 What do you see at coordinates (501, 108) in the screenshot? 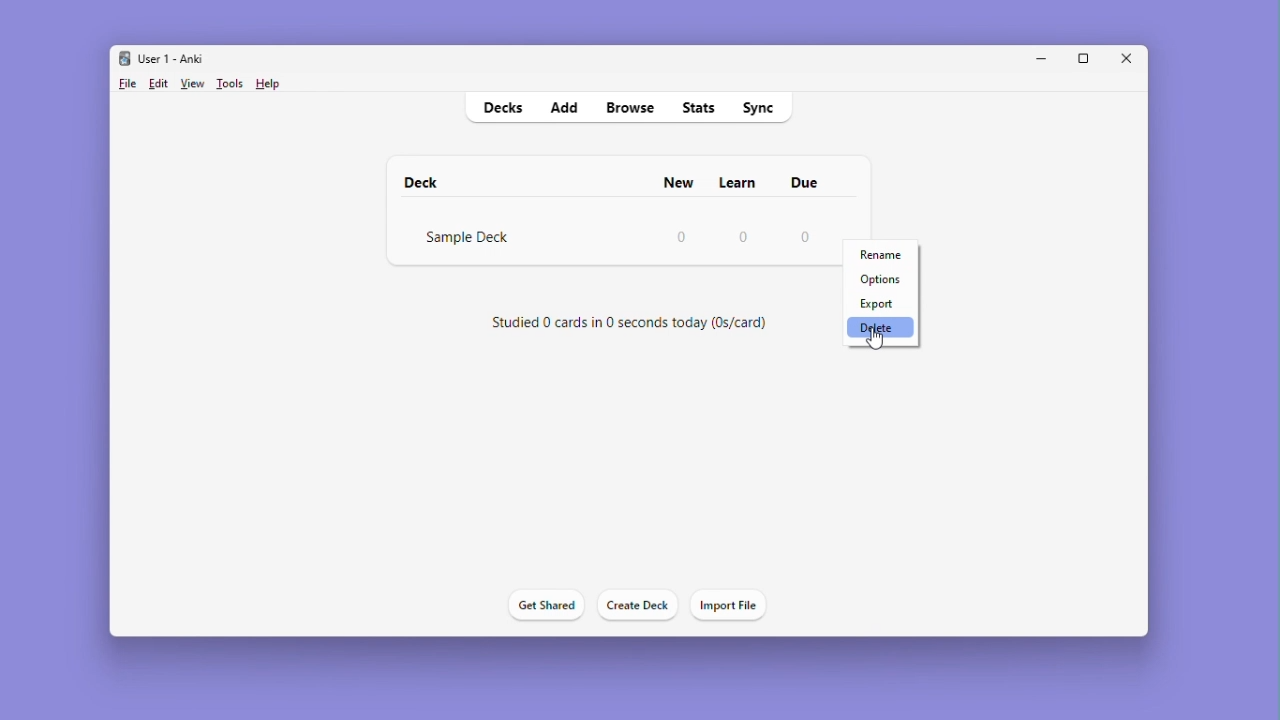
I see `Decks` at bounding box center [501, 108].